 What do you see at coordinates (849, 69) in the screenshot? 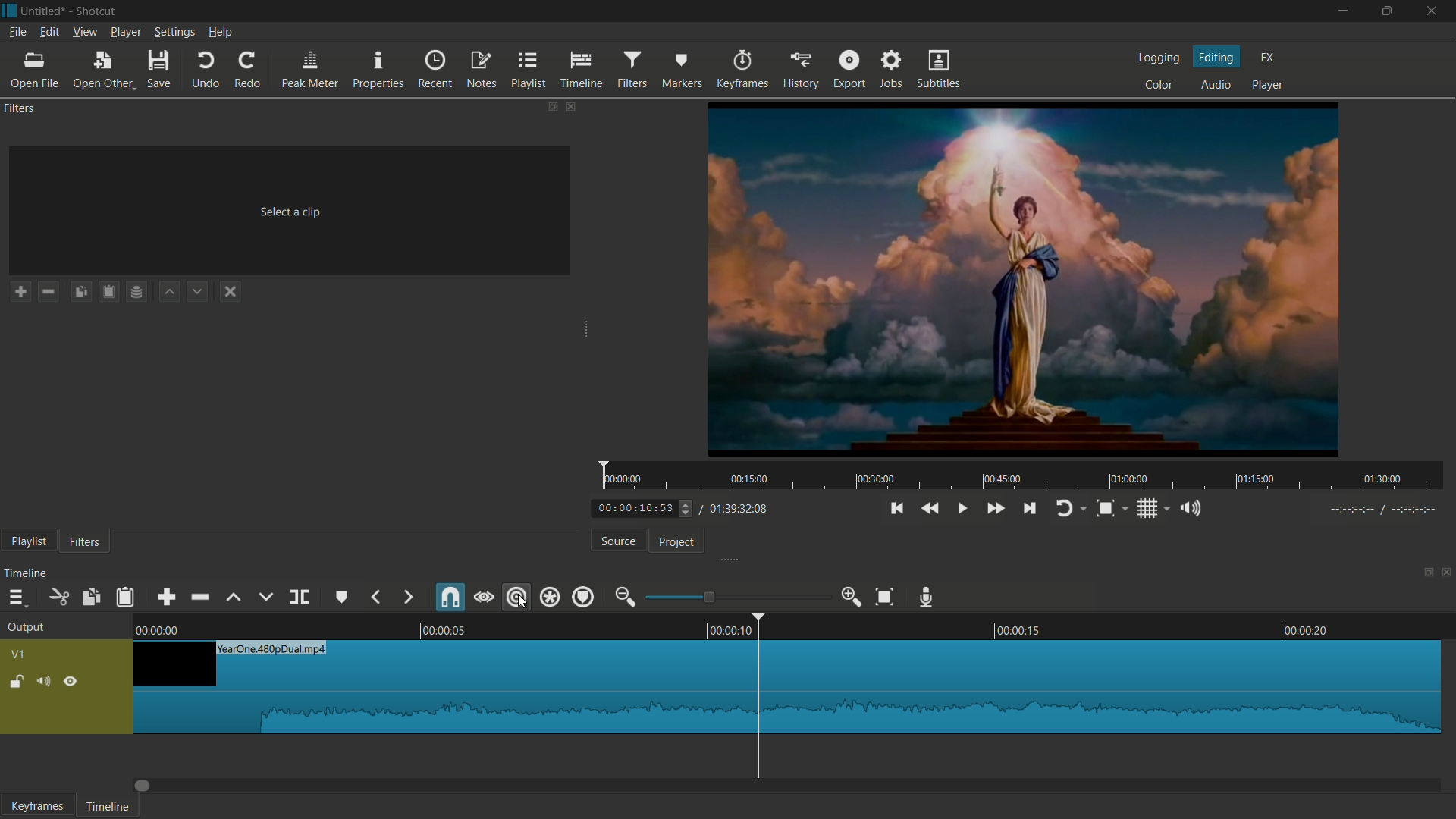
I see `export` at bounding box center [849, 69].